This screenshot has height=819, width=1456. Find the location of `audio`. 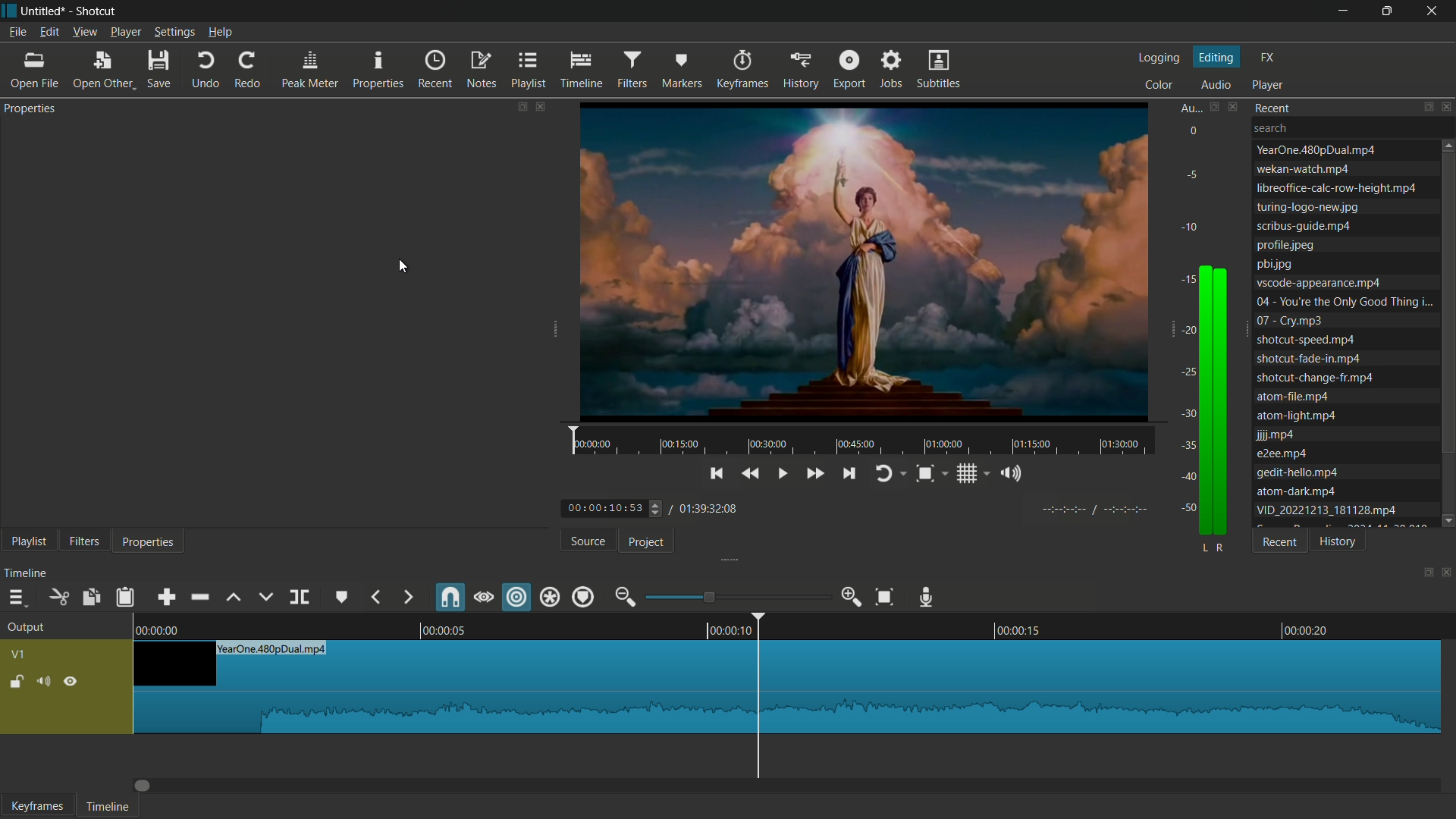

audio is located at coordinates (1216, 84).